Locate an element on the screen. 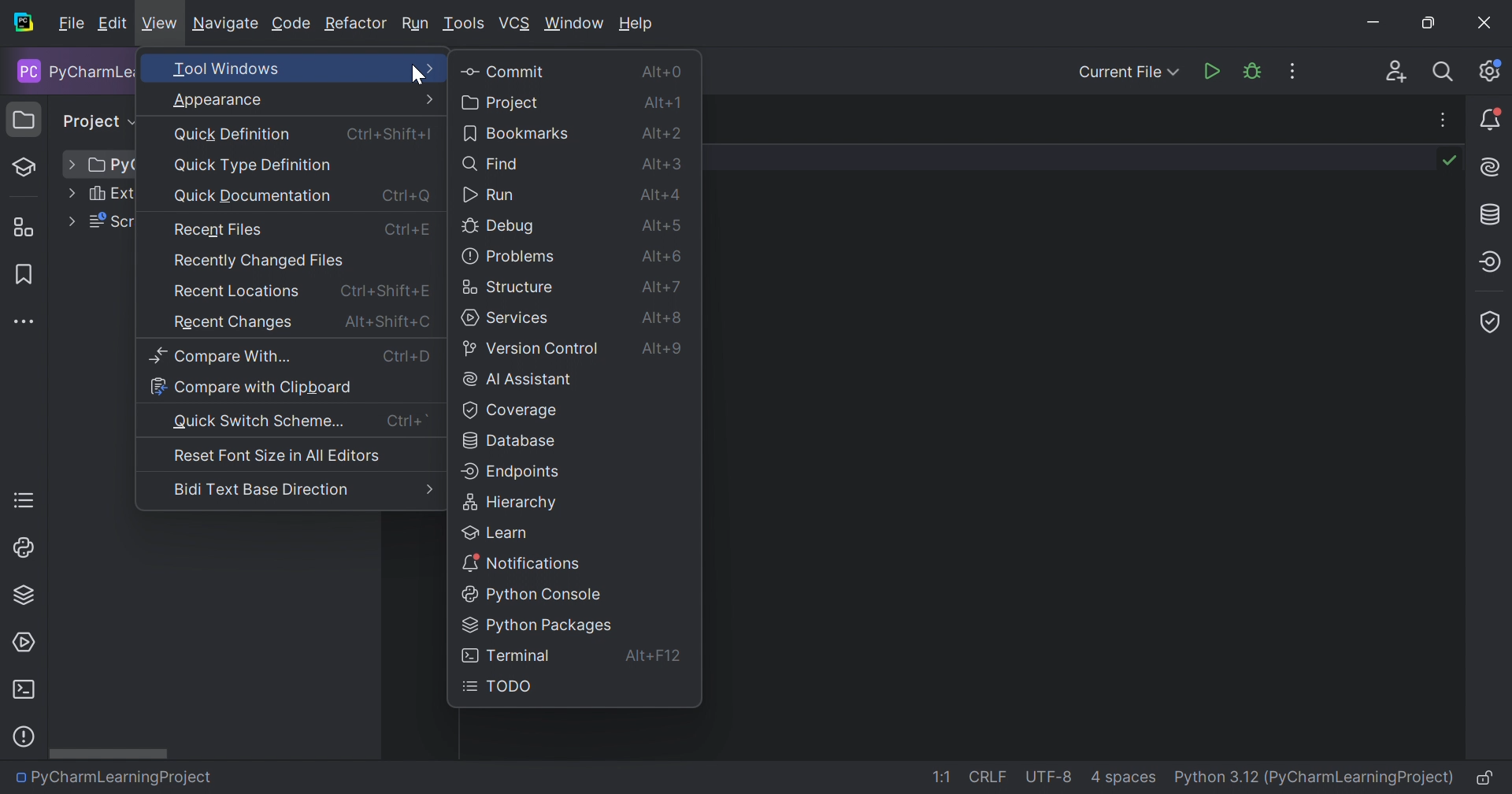 The height and width of the screenshot is (794, 1512). Find is located at coordinates (493, 163).